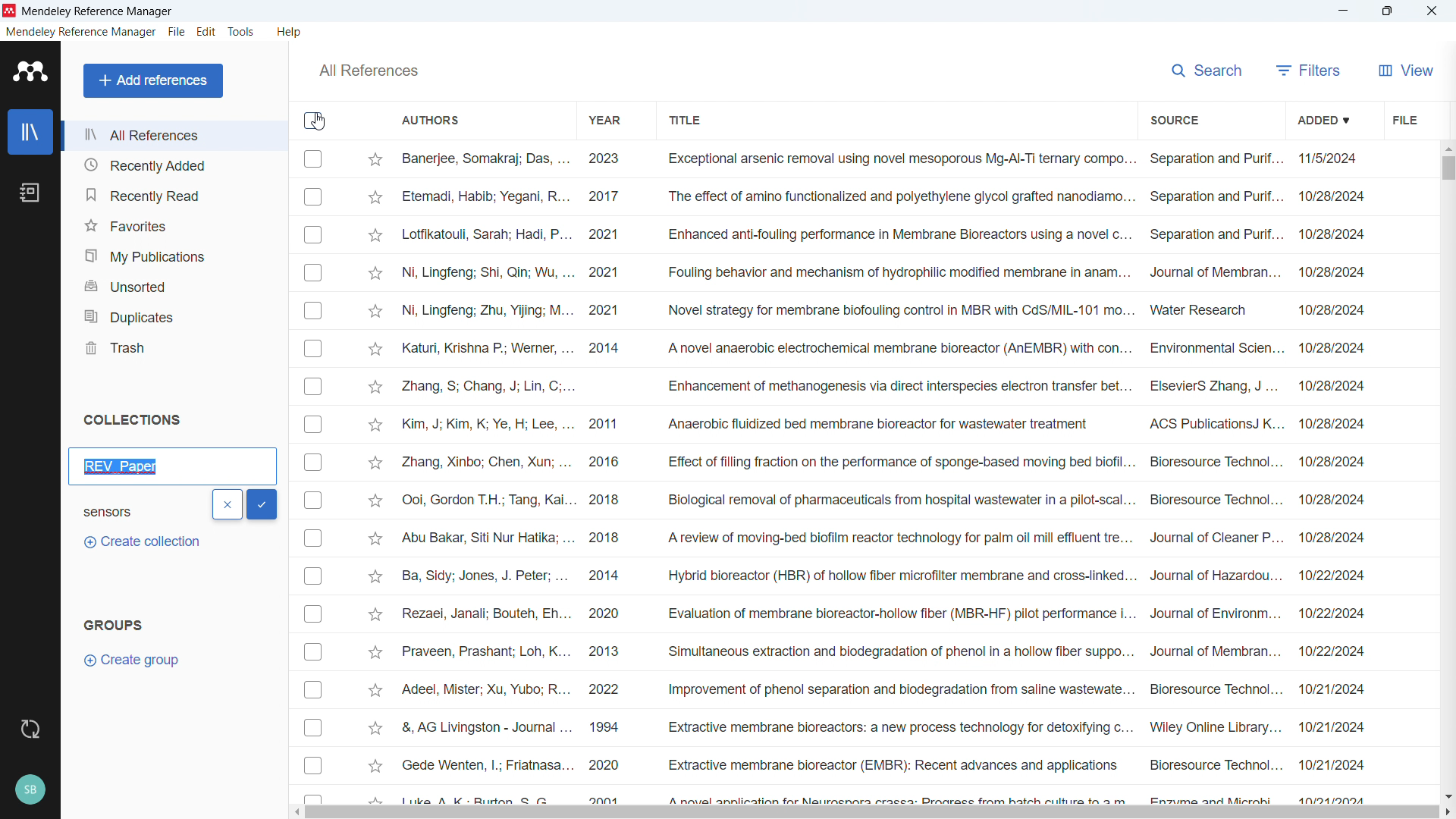 This screenshot has width=1456, height=819. I want to click on Select respective publication, so click(313, 234).